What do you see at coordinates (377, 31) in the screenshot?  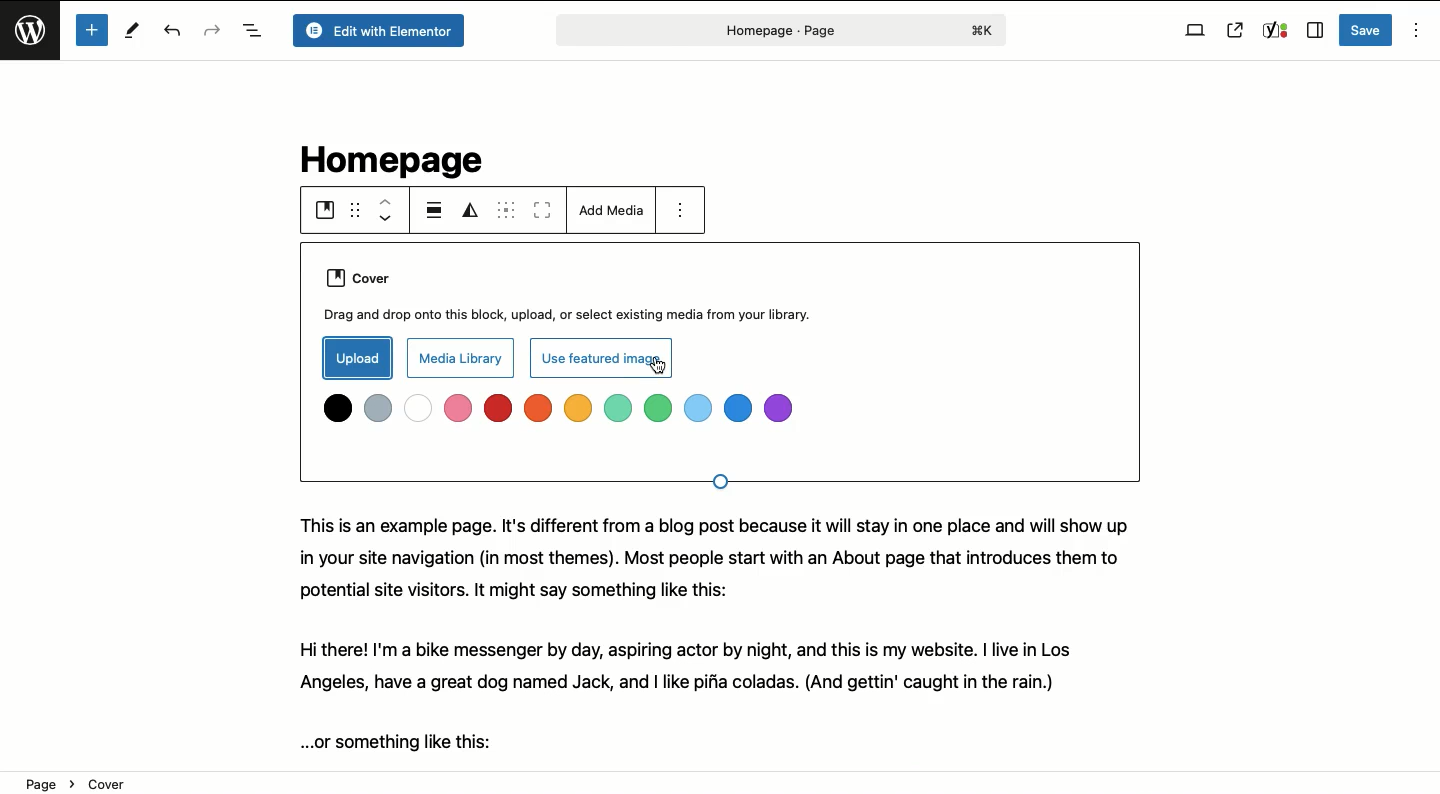 I see `Edit with elementor` at bounding box center [377, 31].